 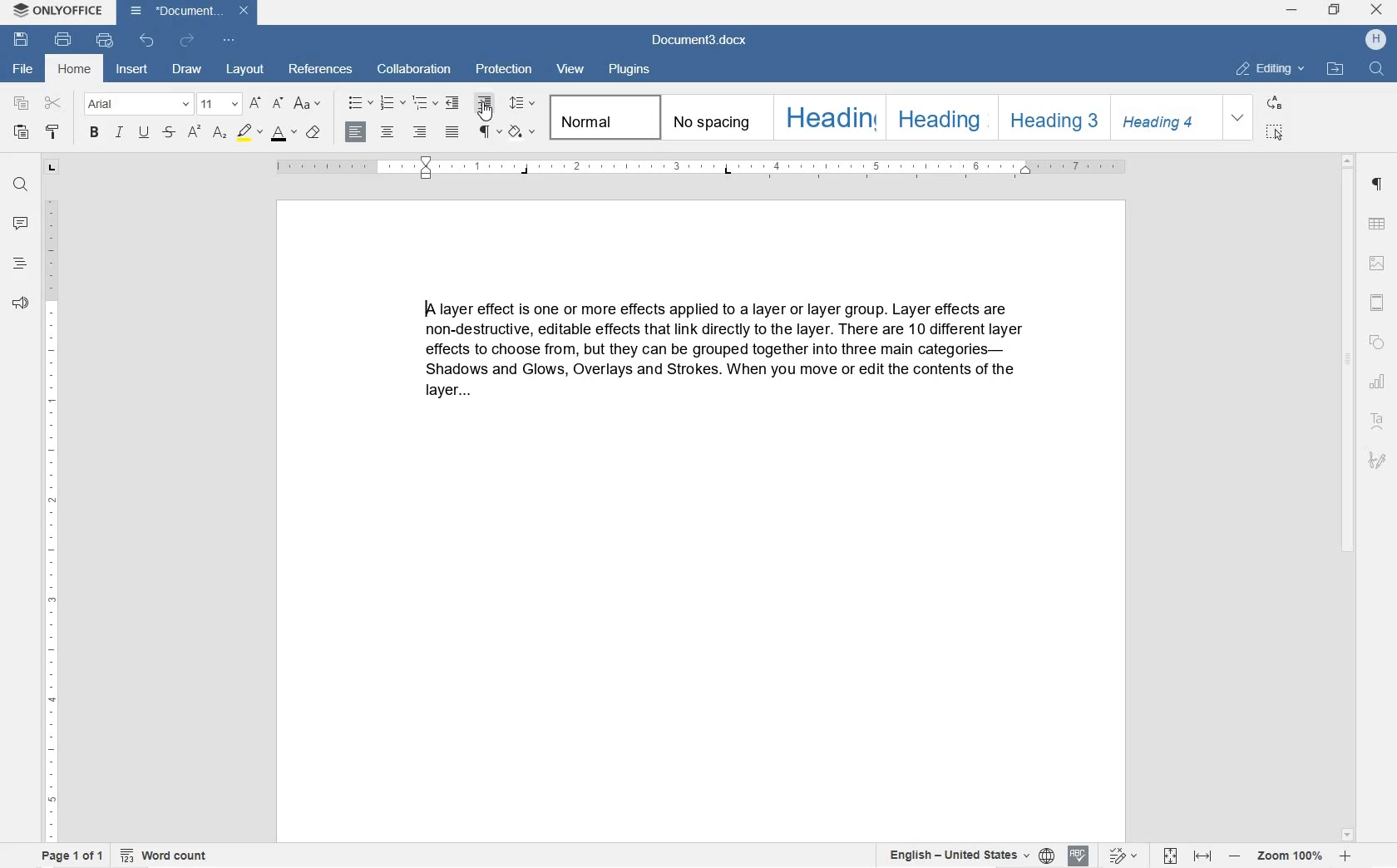 What do you see at coordinates (419, 133) in the screenshot?
I see `RIGHT ALIGNMENT` at bounding box center [419, 133].